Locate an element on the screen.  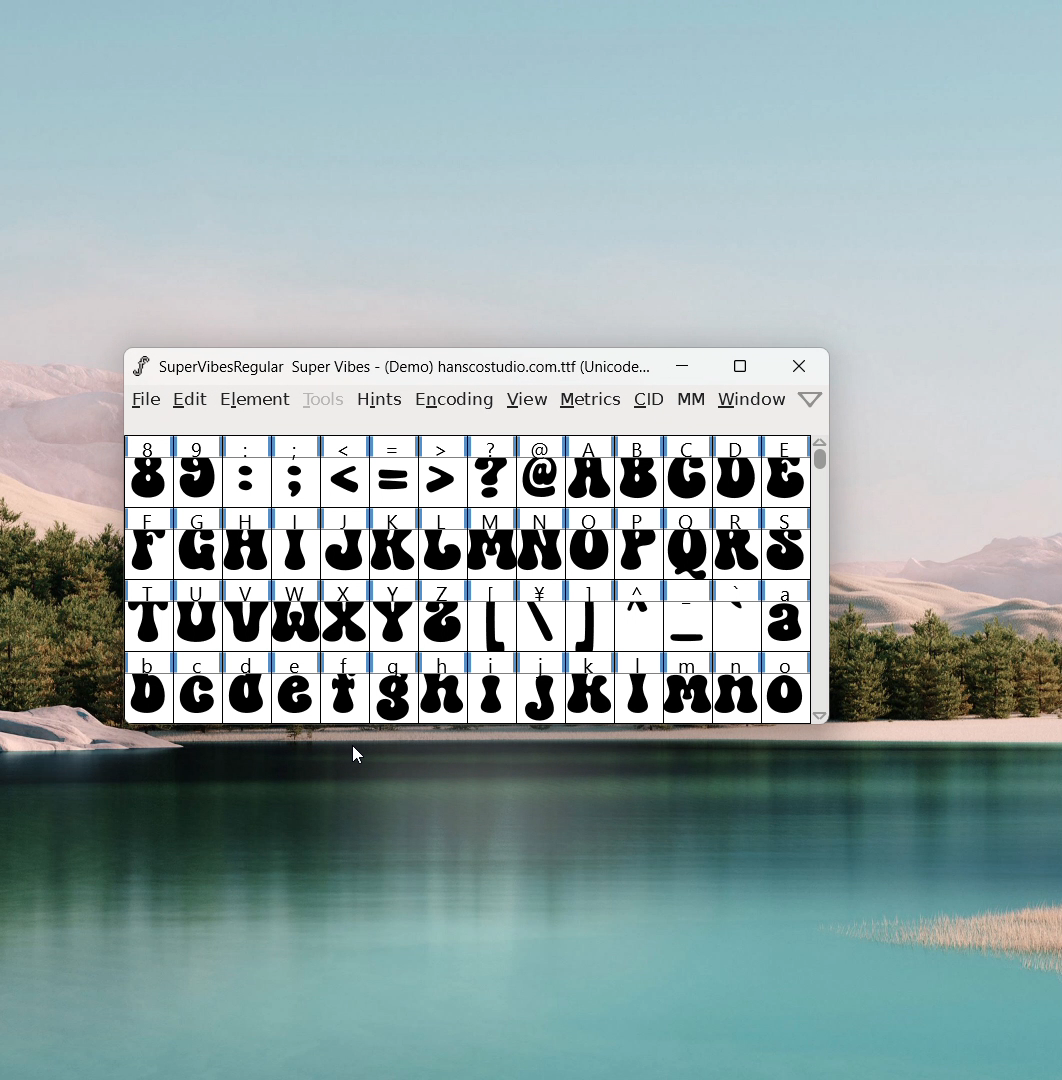
J is located at coordinates (347, 543).